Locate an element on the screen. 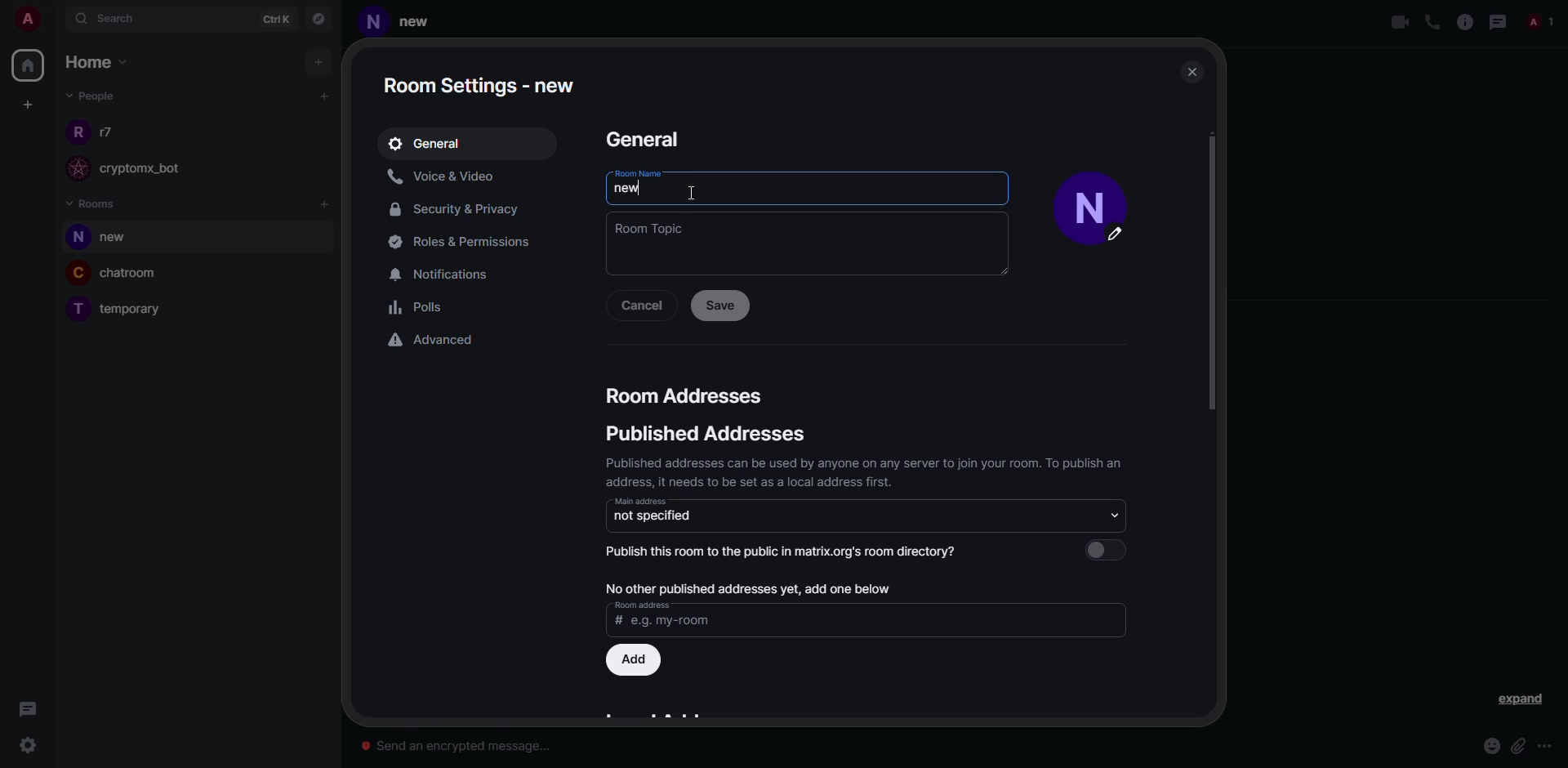 Image resolution: width=1568 pixels, height=768 pixels. threads is located at coordinates (28, 708).